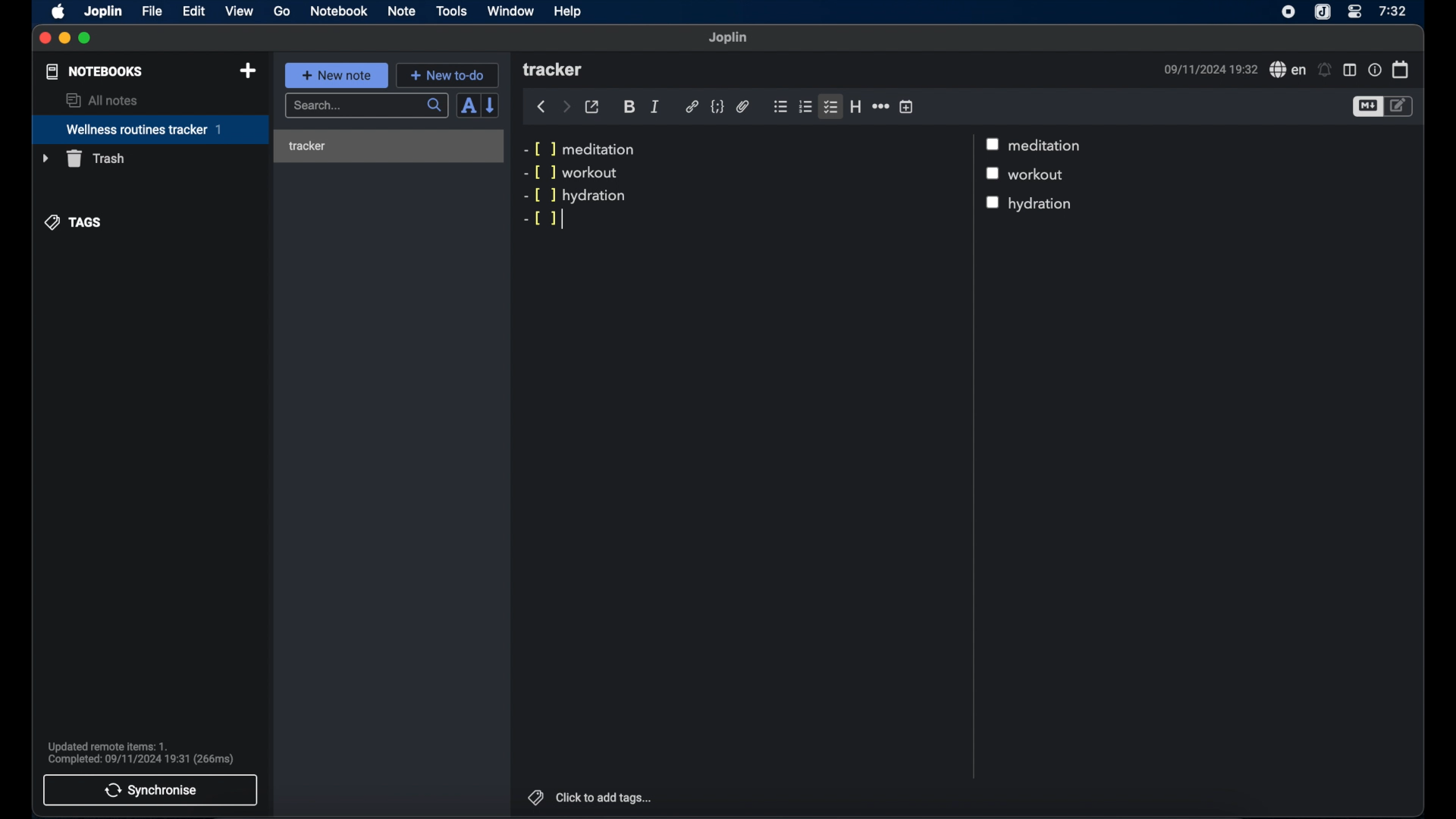  Describe the element at coordinates (1285, 69) in the screenshot. I see `spell check` at that location.